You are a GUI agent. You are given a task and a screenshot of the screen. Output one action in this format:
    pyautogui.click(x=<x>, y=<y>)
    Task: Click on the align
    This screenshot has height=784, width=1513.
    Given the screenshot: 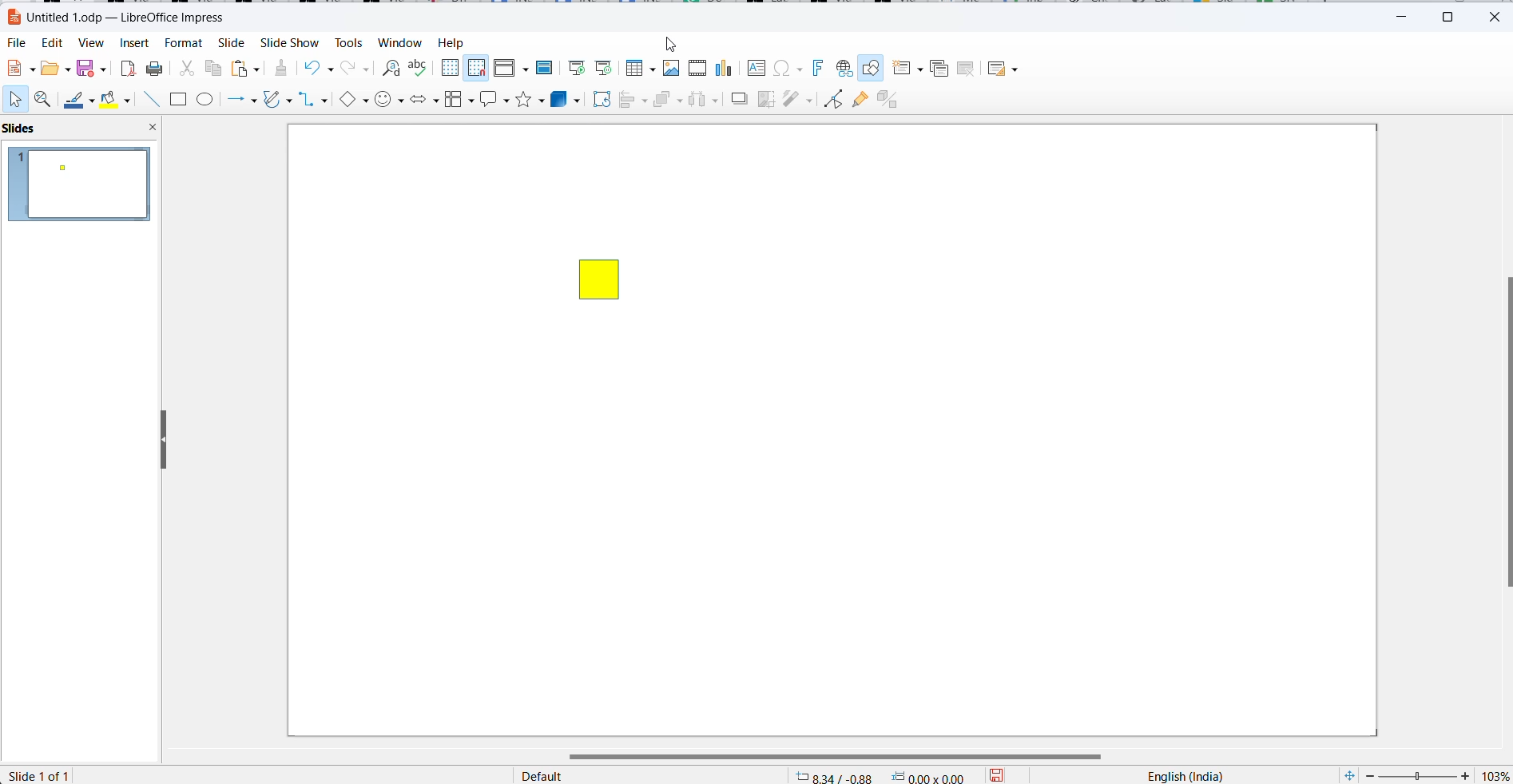 What is the action you would take?
    pyautogui.click(x=633, y=101)
    